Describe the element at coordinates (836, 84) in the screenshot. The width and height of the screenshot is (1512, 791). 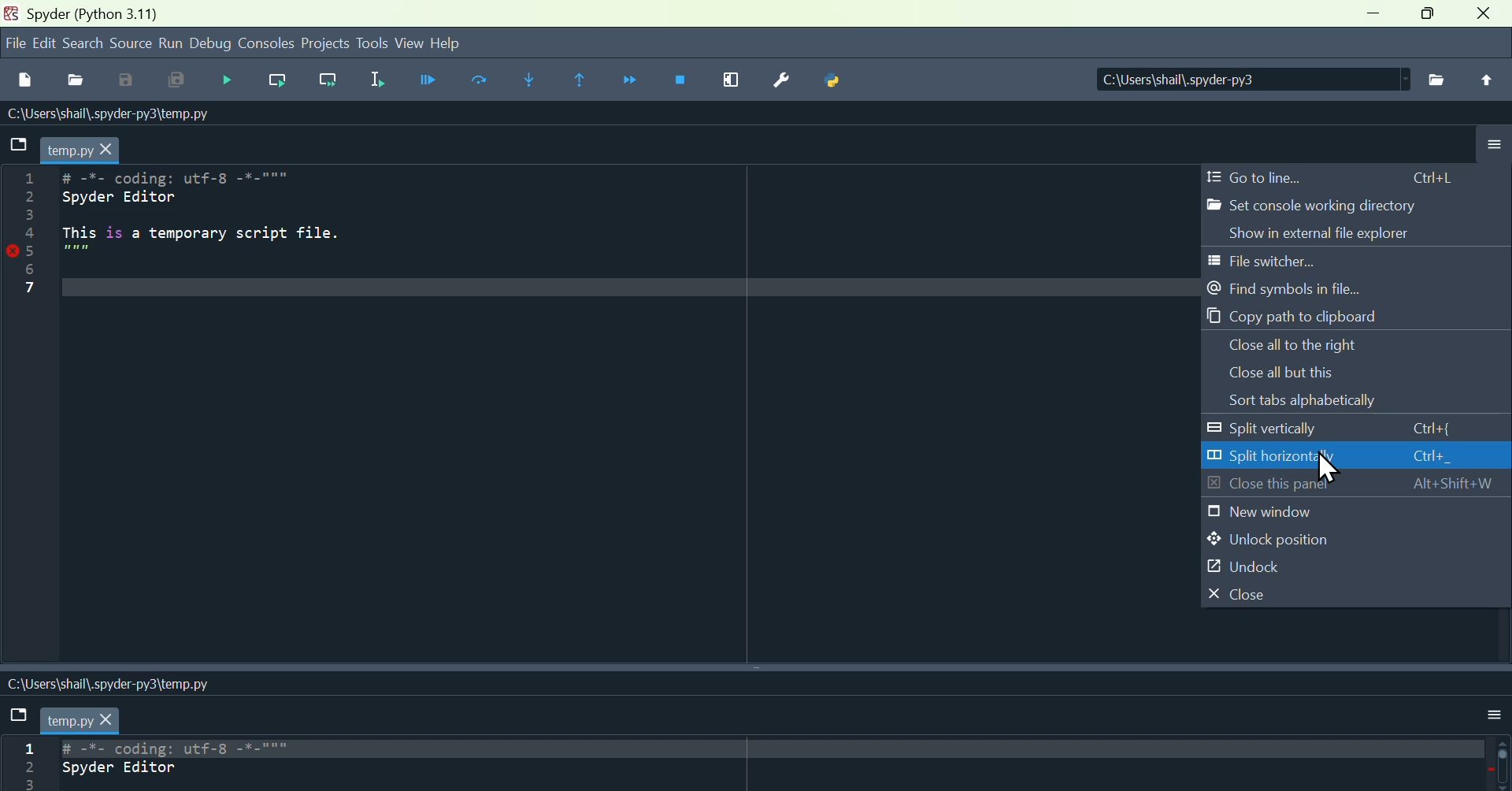
I see `Python bath manager` at that location.